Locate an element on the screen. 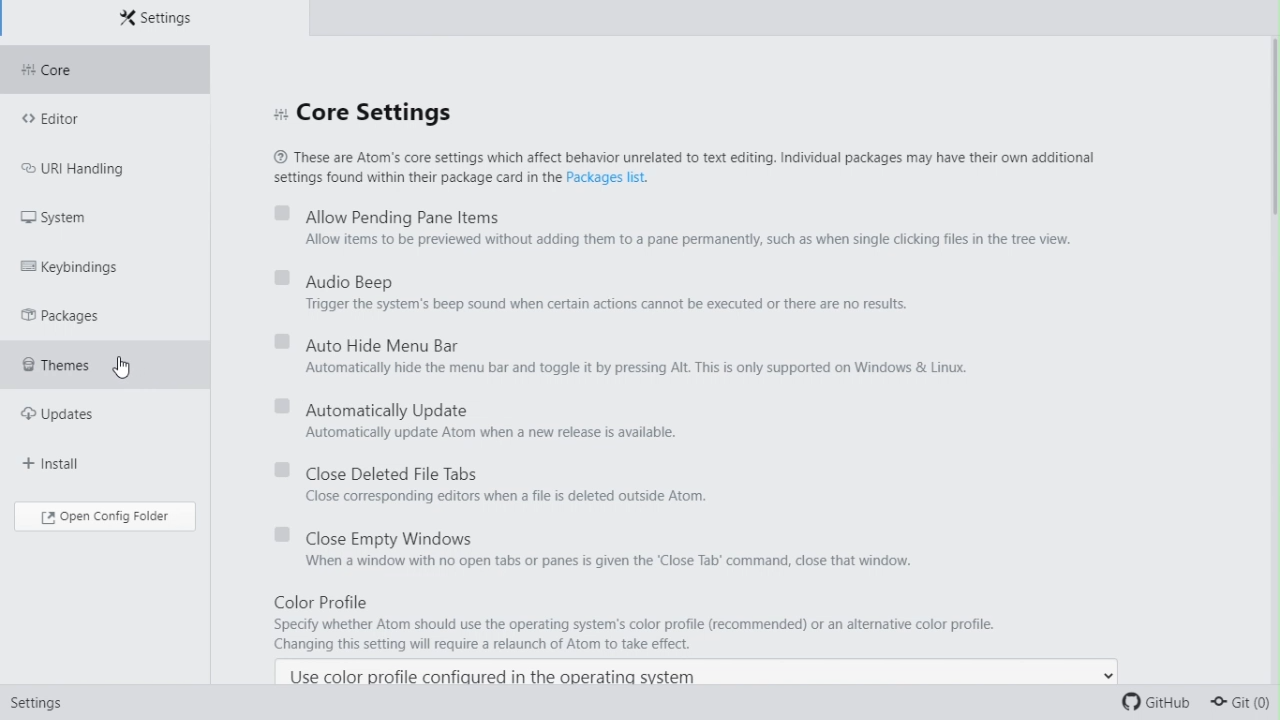 The image size is (1280, 720). automatically update is located at coordinates (467, 418).